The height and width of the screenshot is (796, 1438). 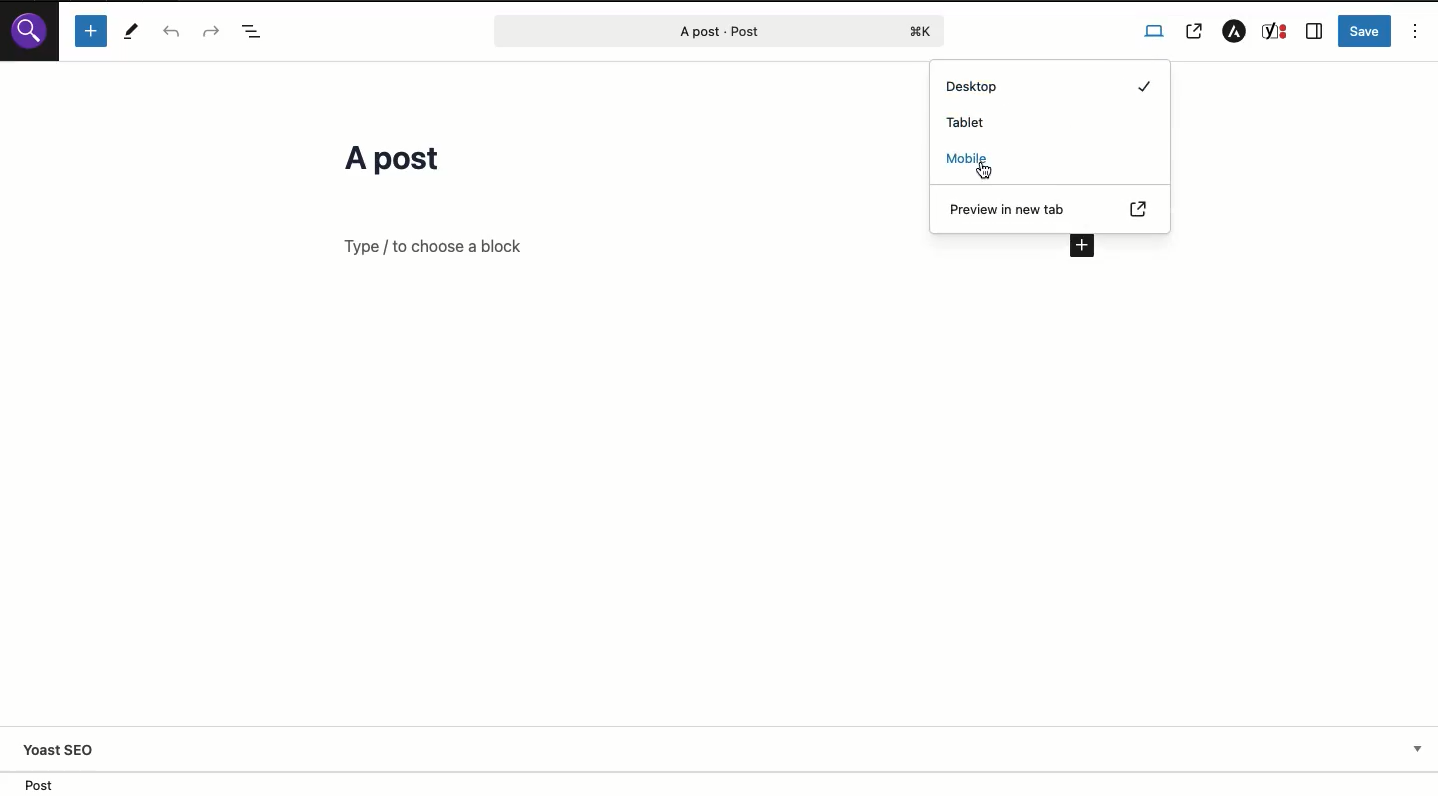 I want to click on Sidebar, so click(x=1314, y=32).